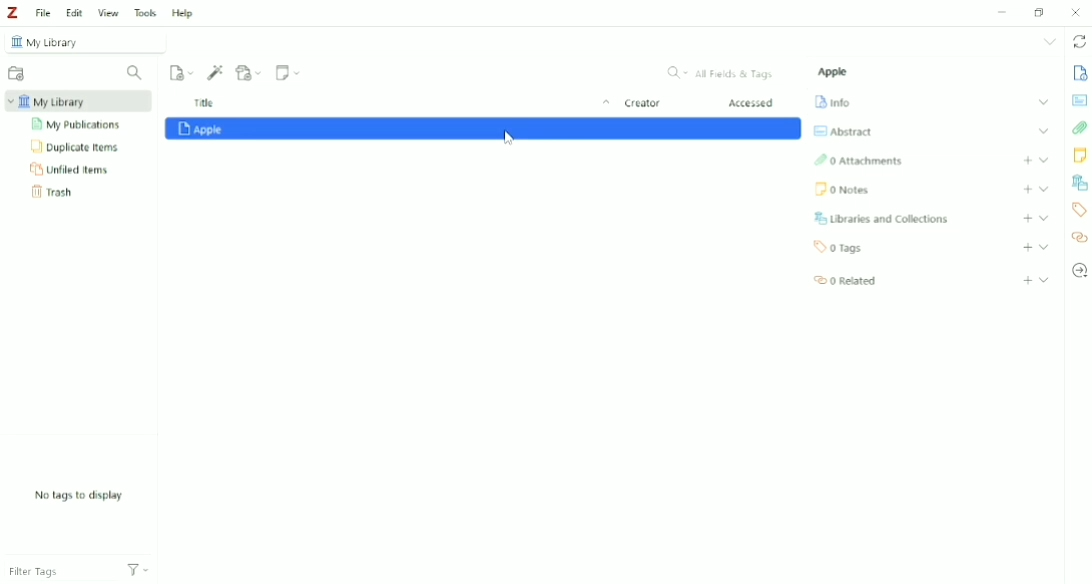  Describe the element at coordinates (1044, 188) in the screenshot. I see `Expand section` at that location.